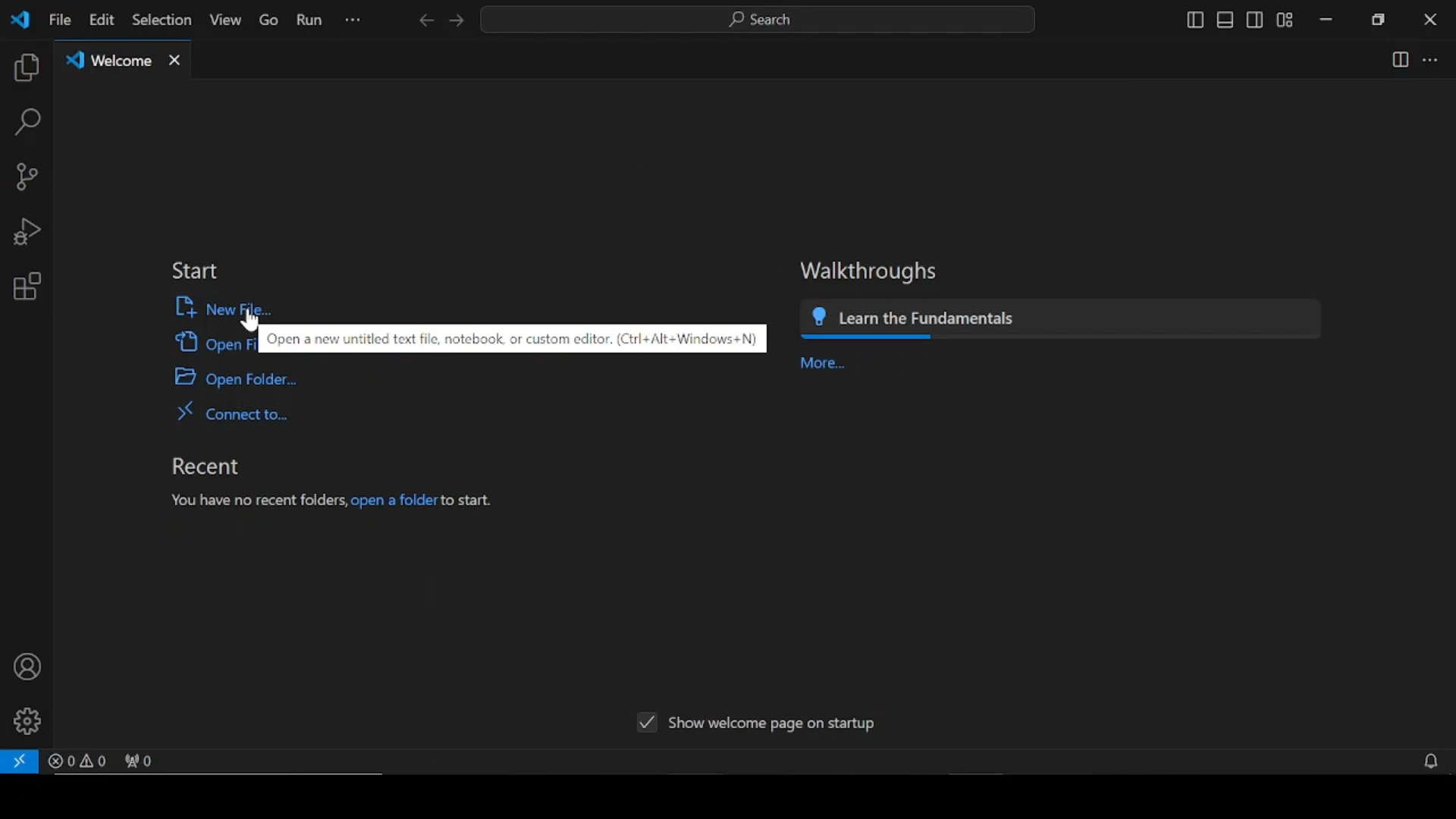 This screenshot has height=819, width=1456. What do you see at coordinates (27, 668) in the screenshot?
I see `accounts` at bounding box center [27, 668].